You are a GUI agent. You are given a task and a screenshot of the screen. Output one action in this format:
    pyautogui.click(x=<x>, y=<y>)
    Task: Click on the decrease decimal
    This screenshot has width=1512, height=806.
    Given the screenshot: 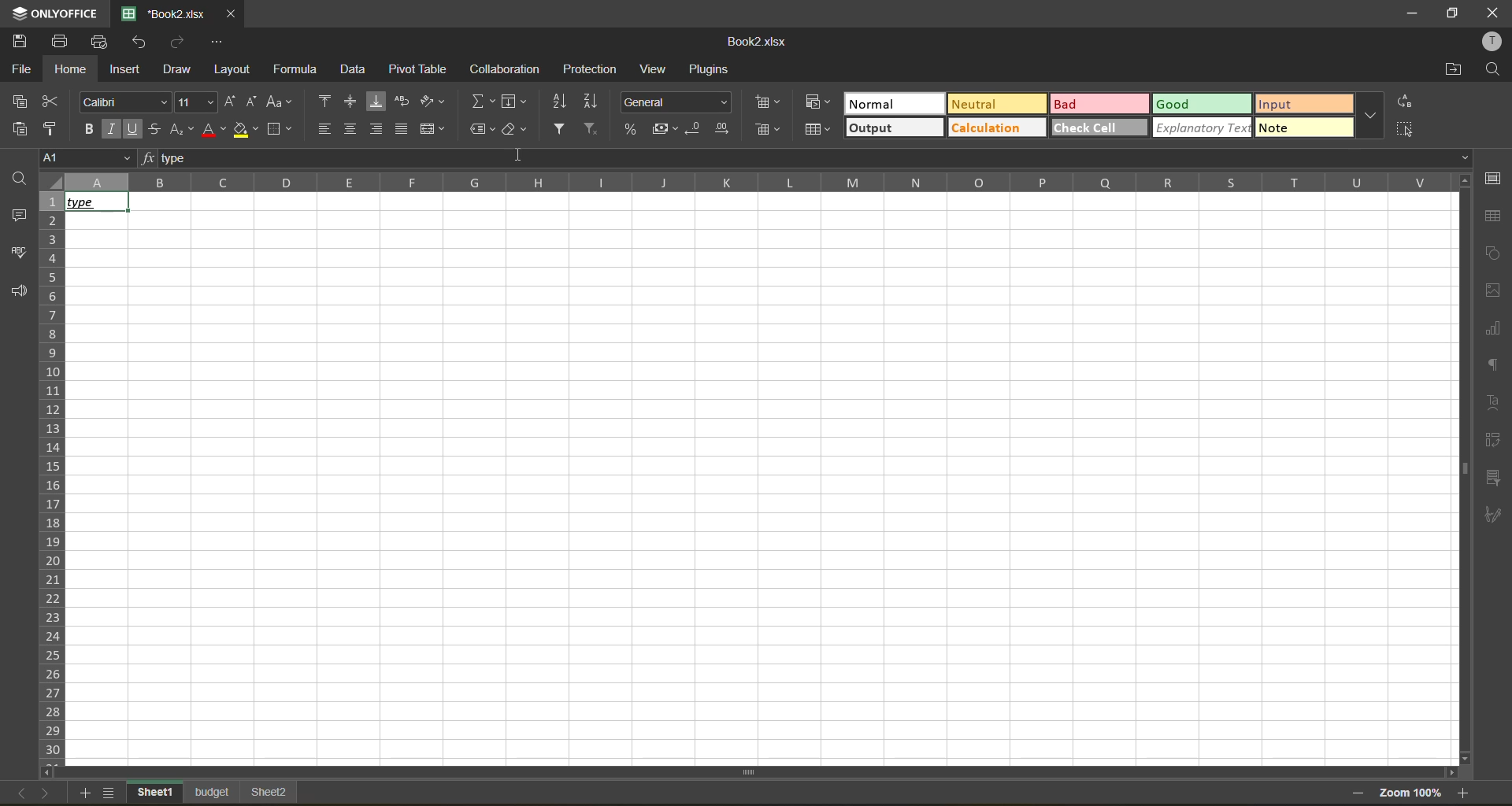 What is the action you would take?
    pyautogui.click(x=695, y=129)
    